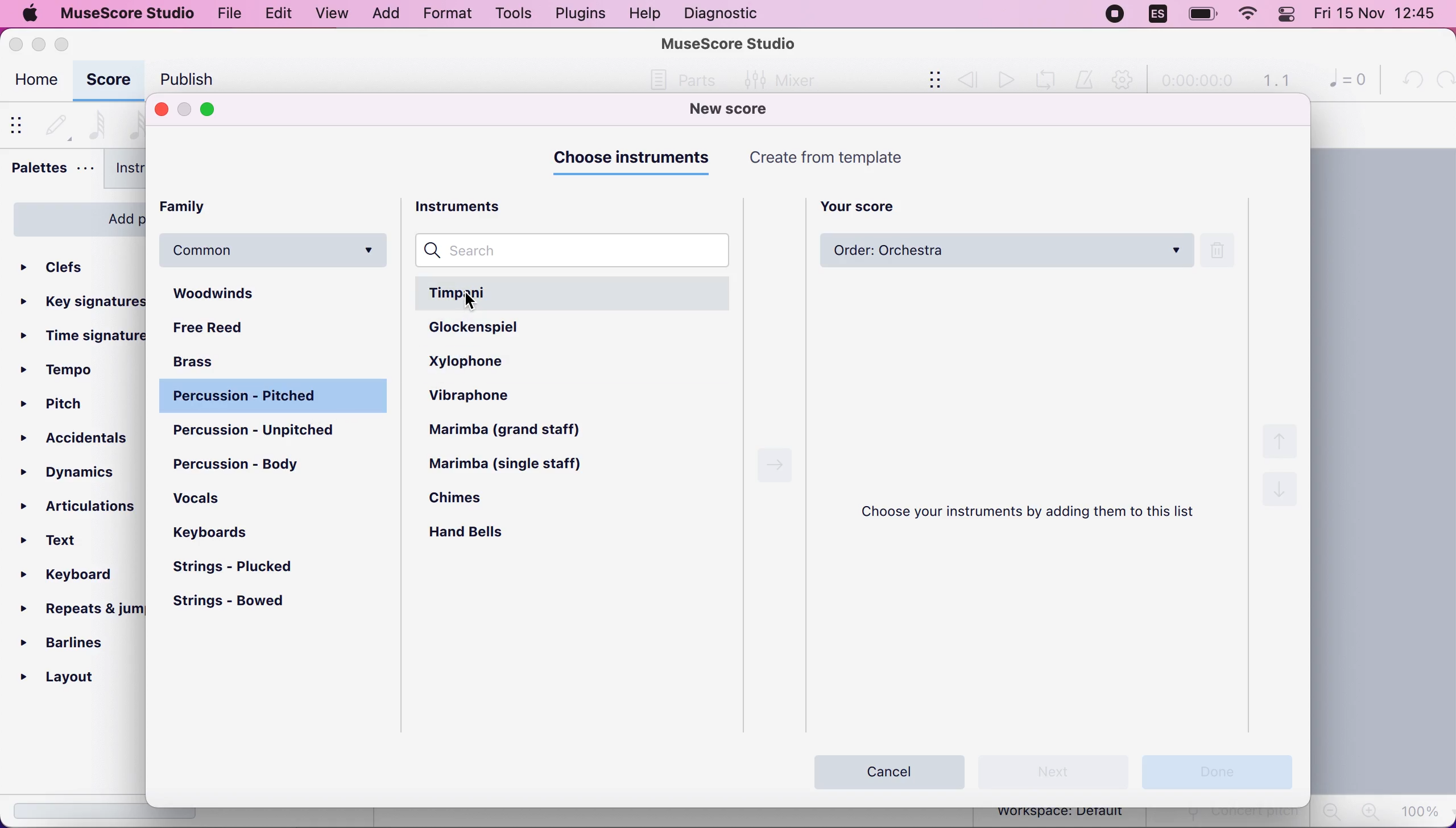 Image resolution: width=1456 pixels, height=828 pixels. What do you see at coordinates (97, 123) in the screenshot?
I see `64th note` at bounding box center [97, 123].